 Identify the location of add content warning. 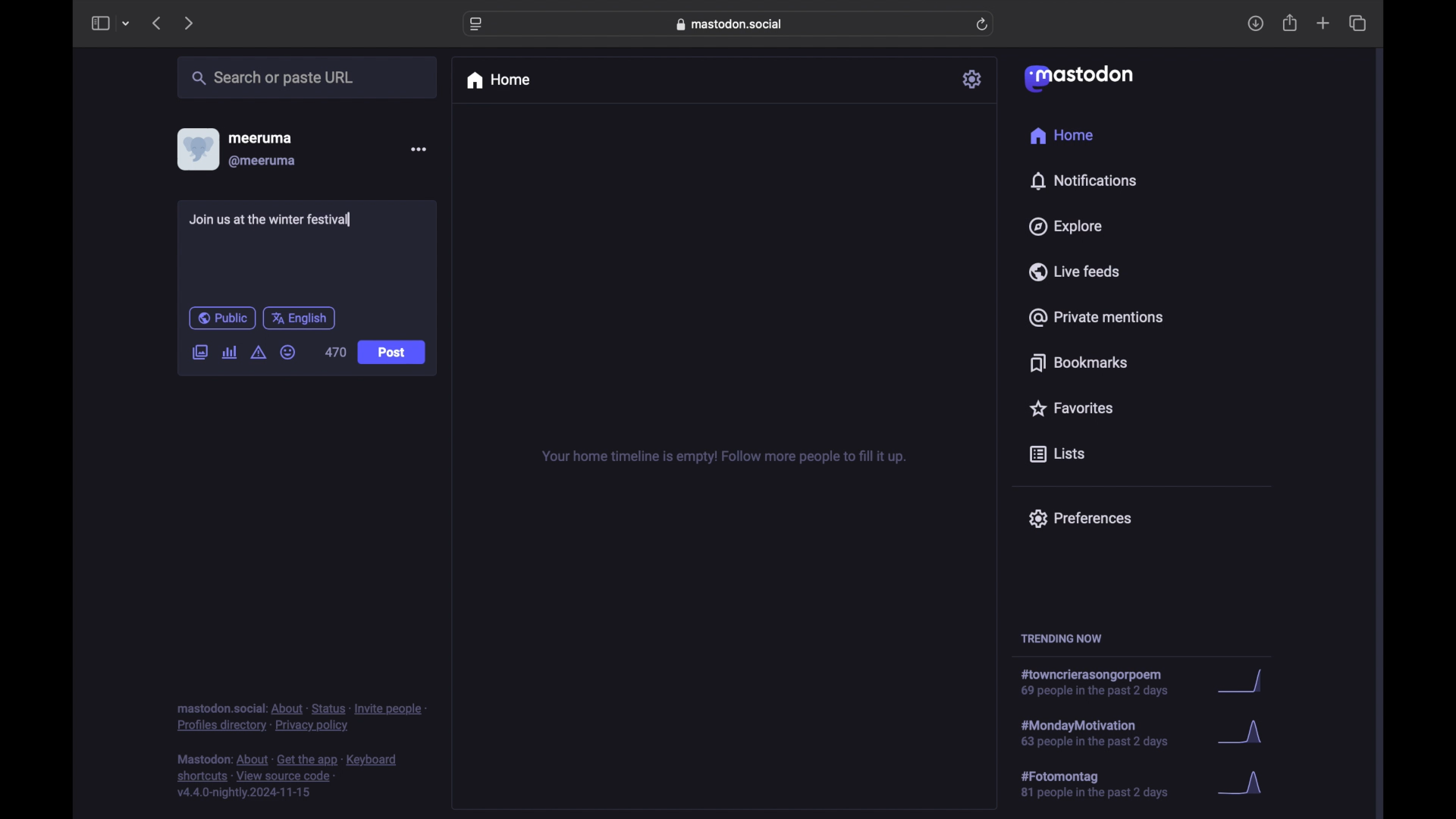
(258, 353).